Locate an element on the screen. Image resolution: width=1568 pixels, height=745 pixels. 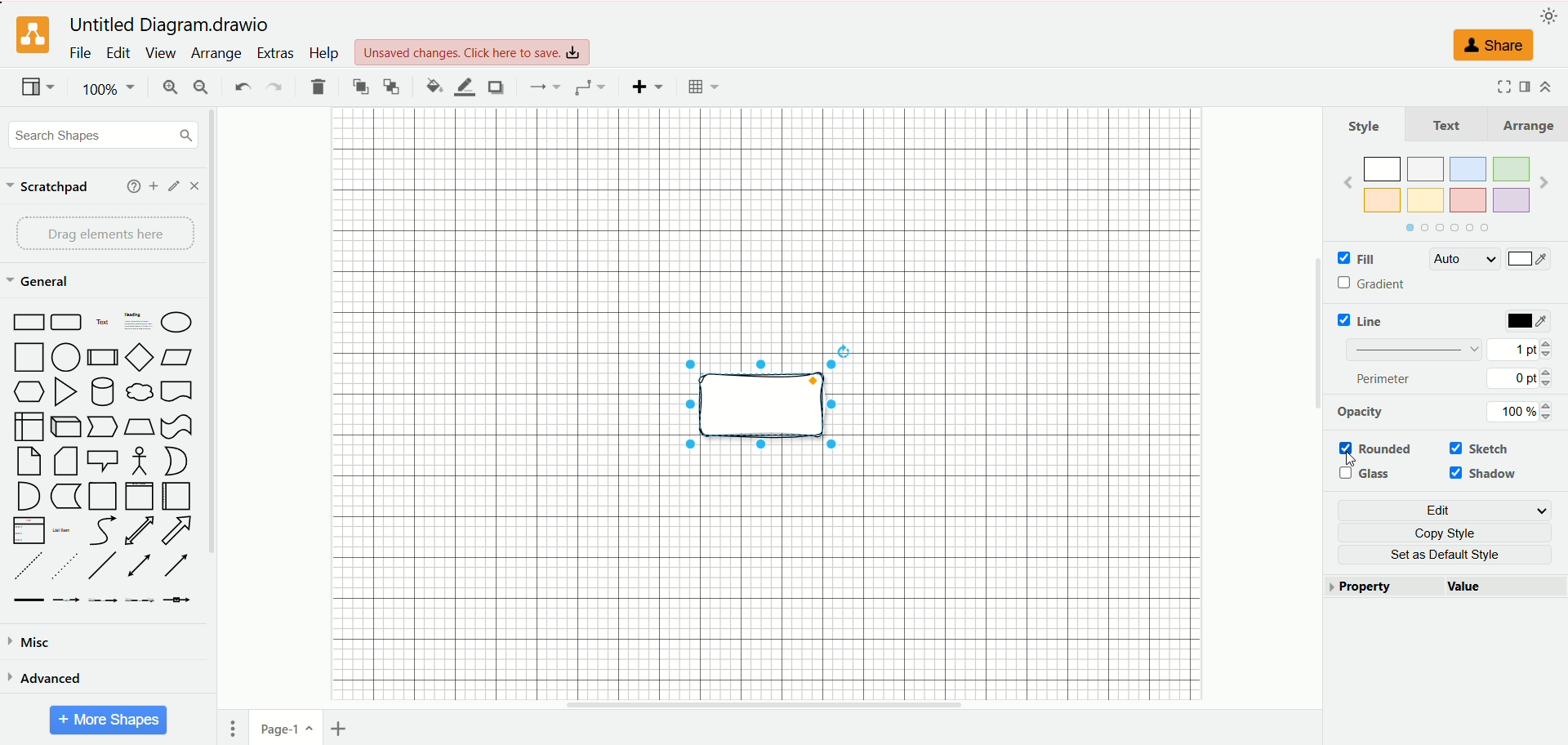
100% is located at coordinates (110, 89).